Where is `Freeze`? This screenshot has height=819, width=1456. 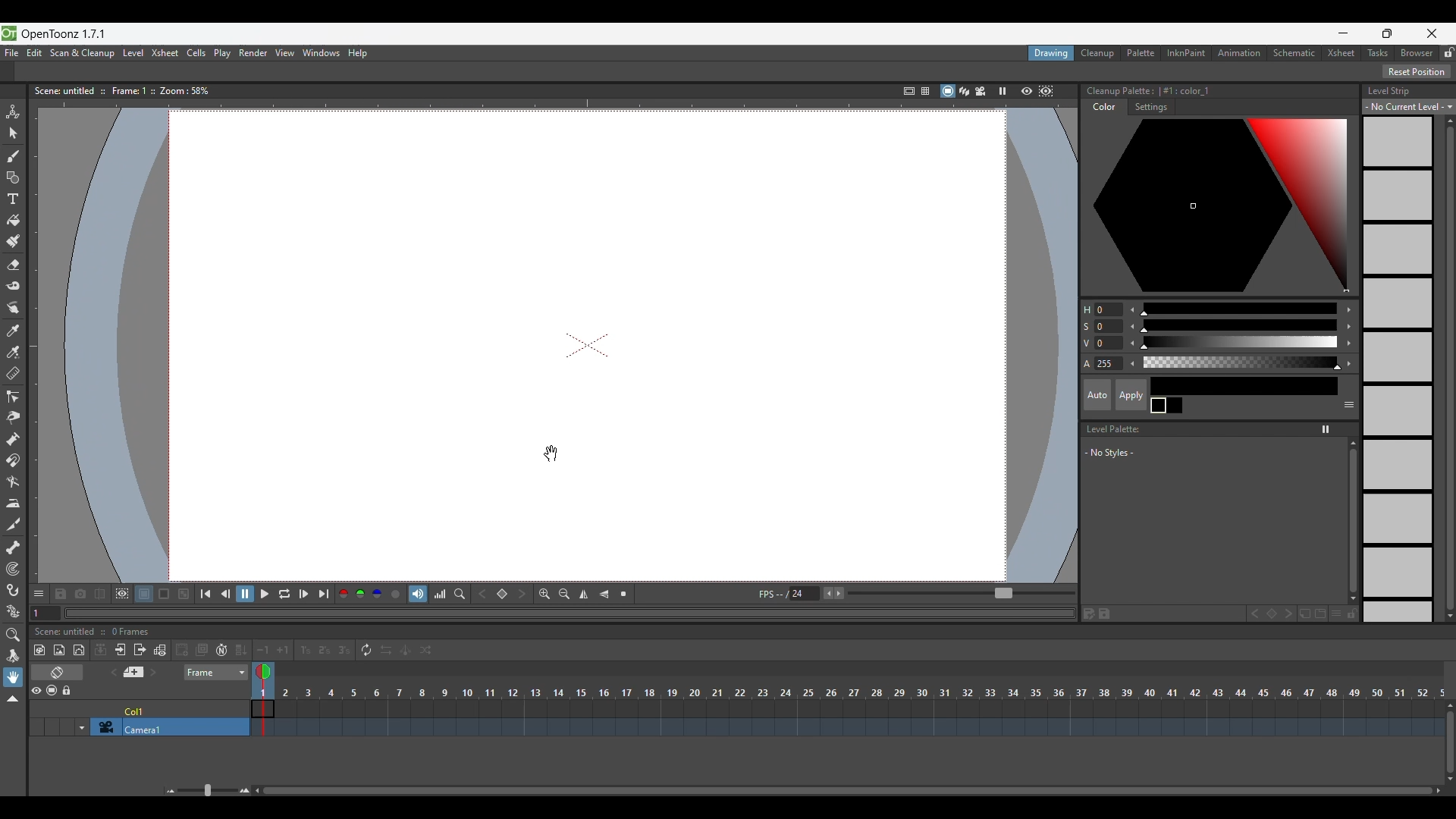 Freeze is located at coordinates (1326, 429).